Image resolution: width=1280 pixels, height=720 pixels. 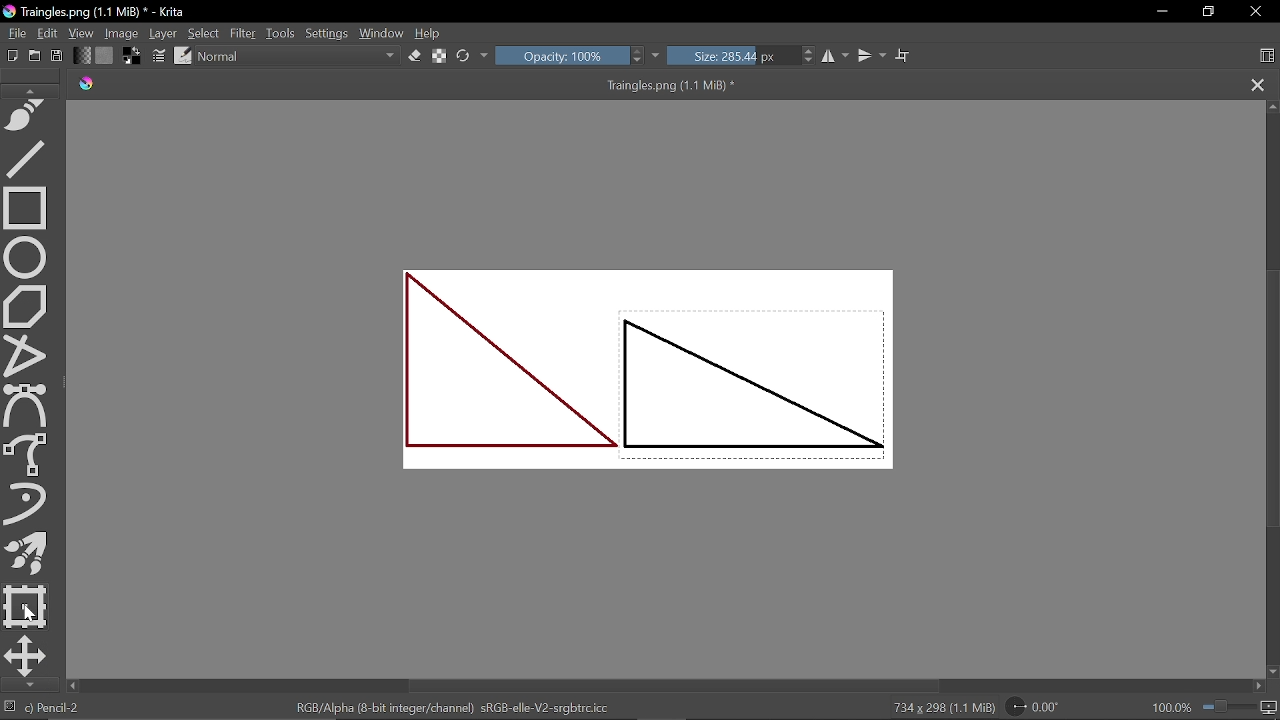 I want to click on Freehand path tool, so click(x=29, y=117).